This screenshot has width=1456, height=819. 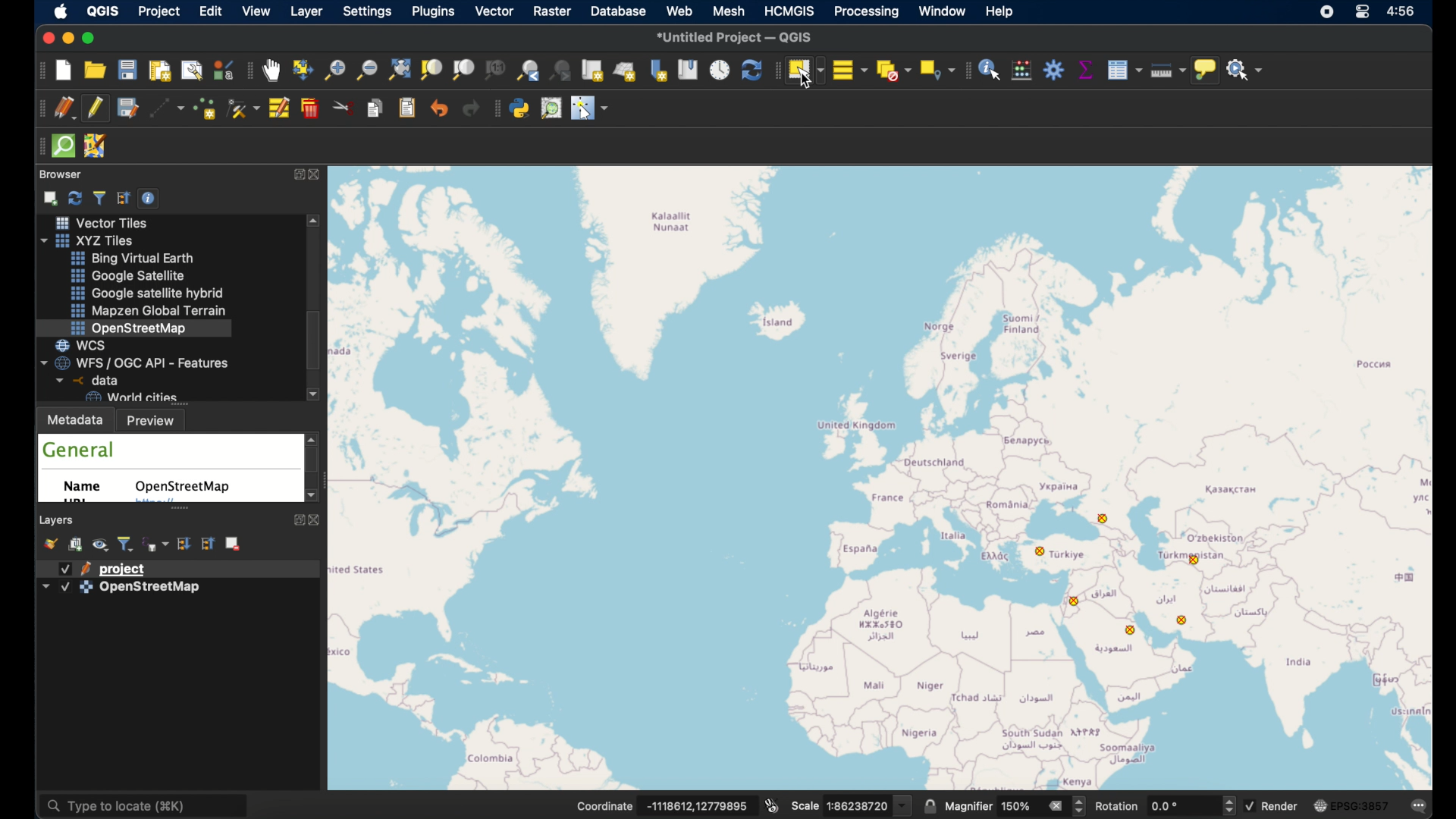 What do you see at coordinates (235, 544) in the screenshot?
I see `remove layer/group` at bounding box center [235, 544].